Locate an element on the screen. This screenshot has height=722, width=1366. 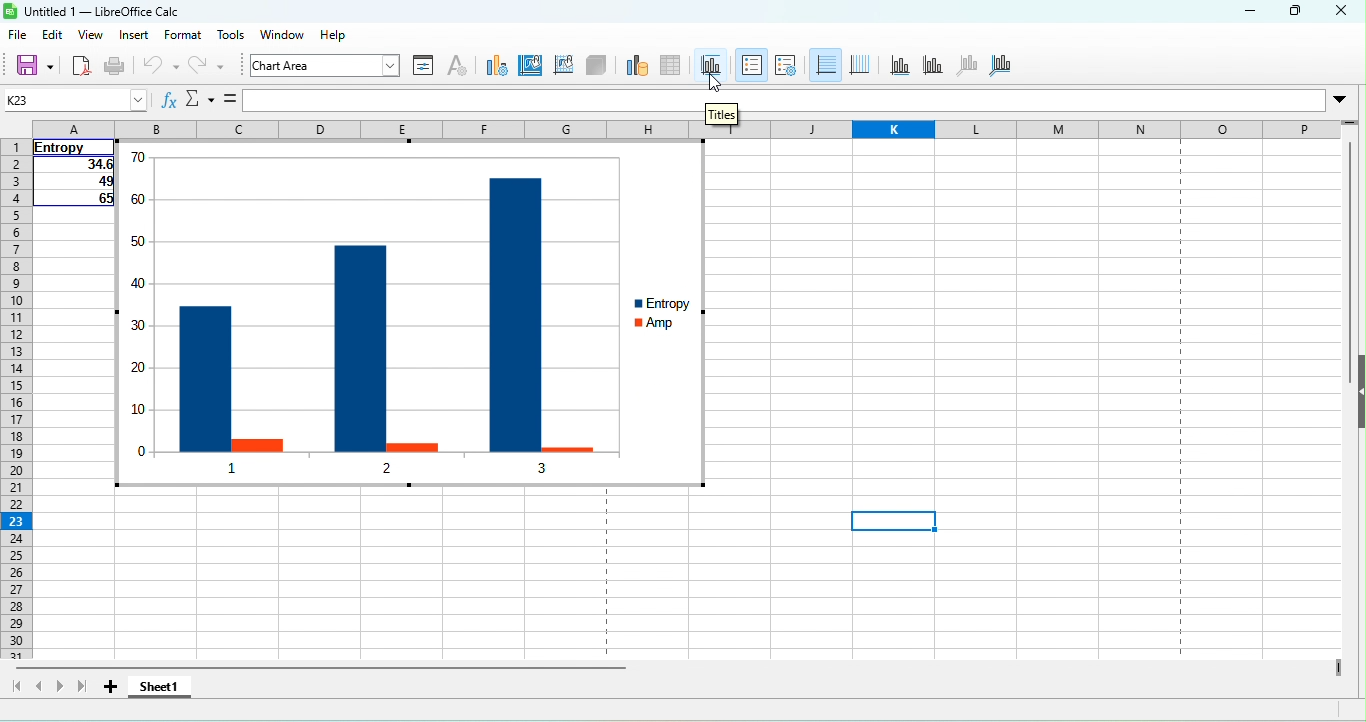
formula is located at coordinates (228, 100).